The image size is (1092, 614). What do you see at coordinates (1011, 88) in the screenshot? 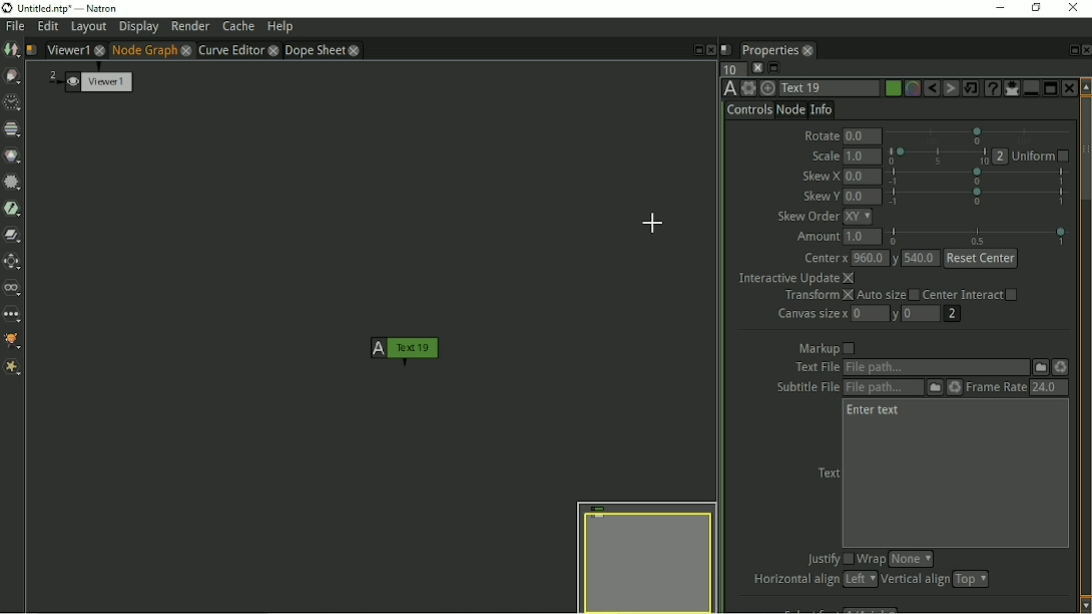
I see `Show/hide all parameters` at bounding box center [1011, 88].